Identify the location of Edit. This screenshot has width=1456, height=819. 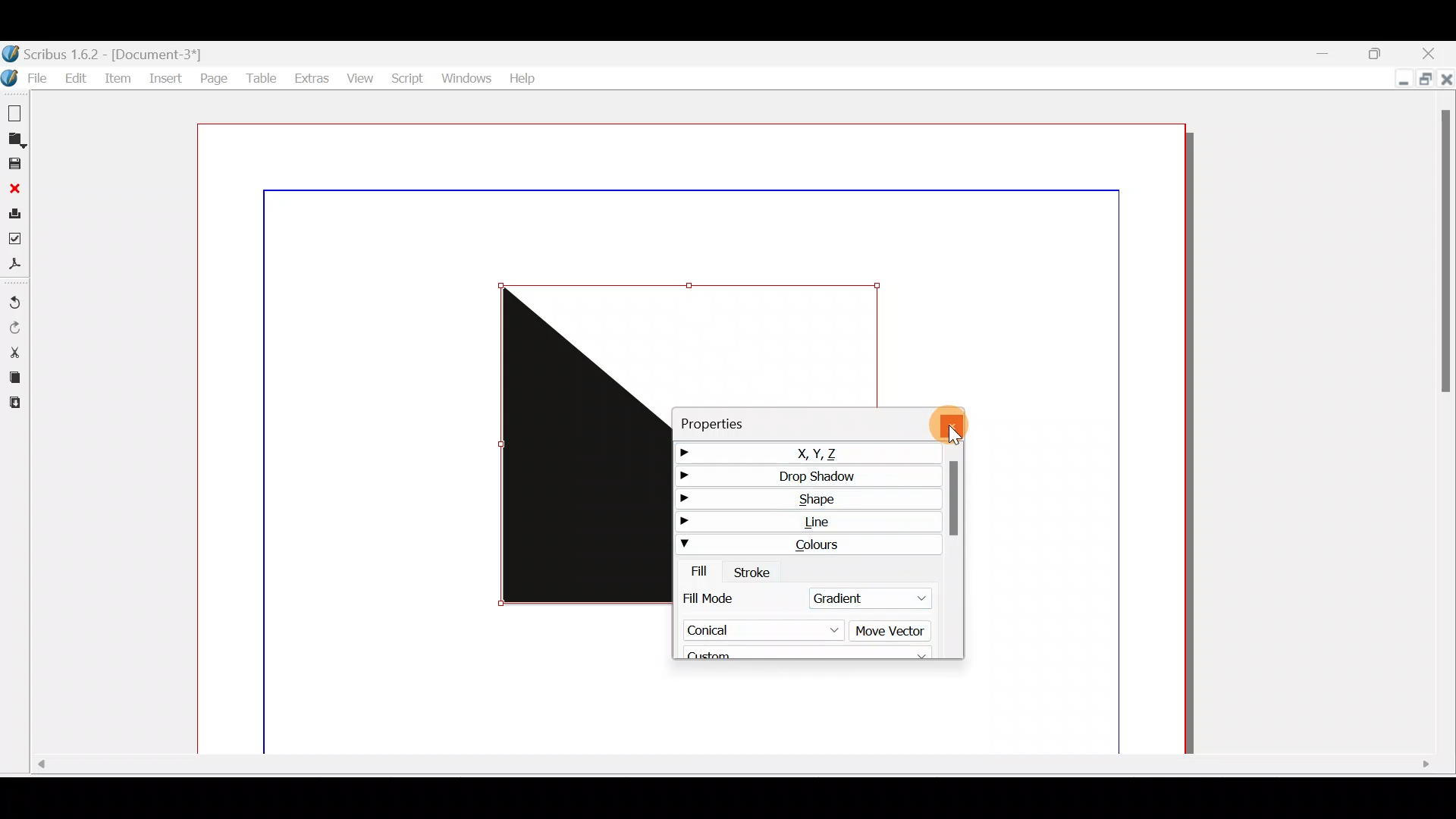
(74, 77).